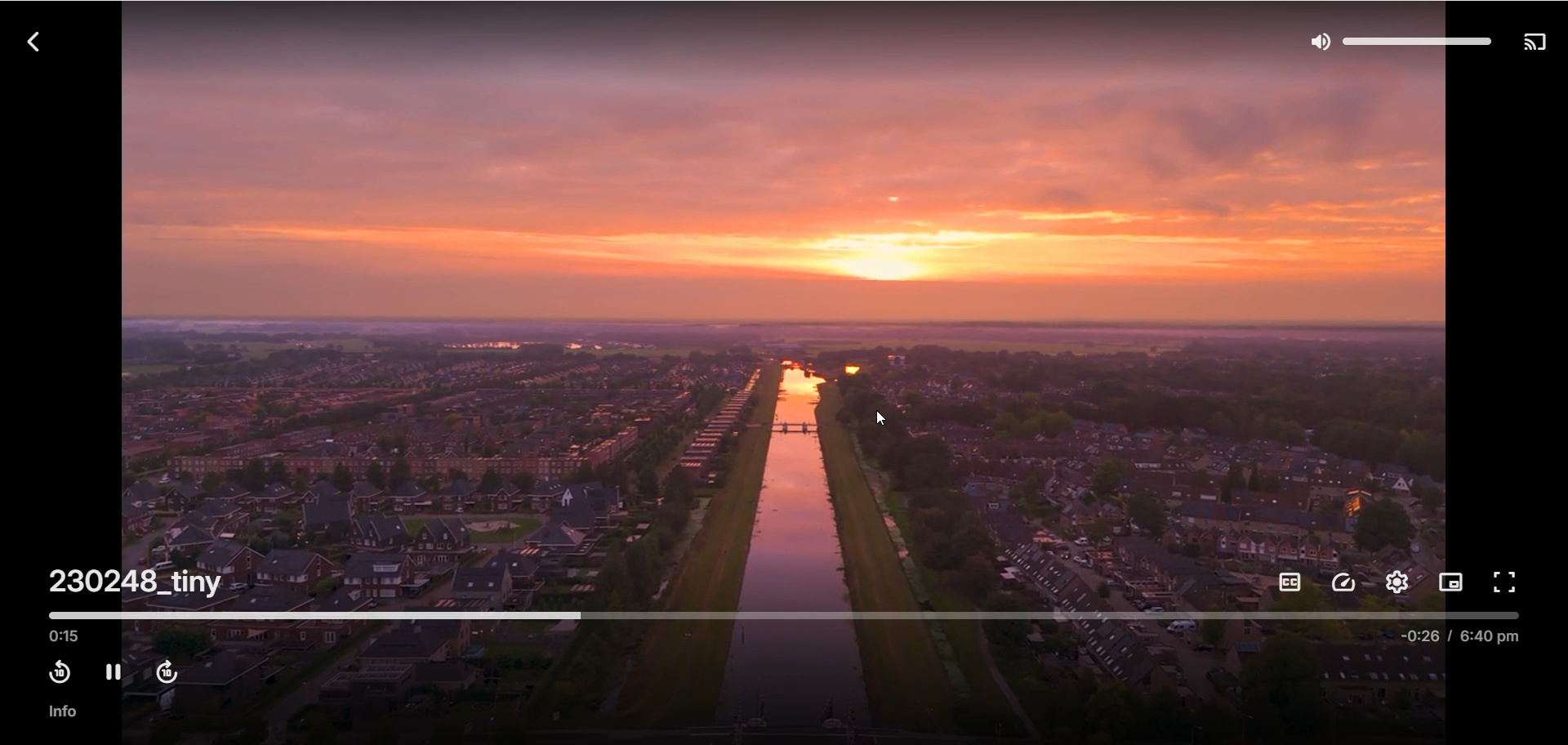  Describe the element at coordinates (1405, 40) in the screenshot. I see `volume` at that location.